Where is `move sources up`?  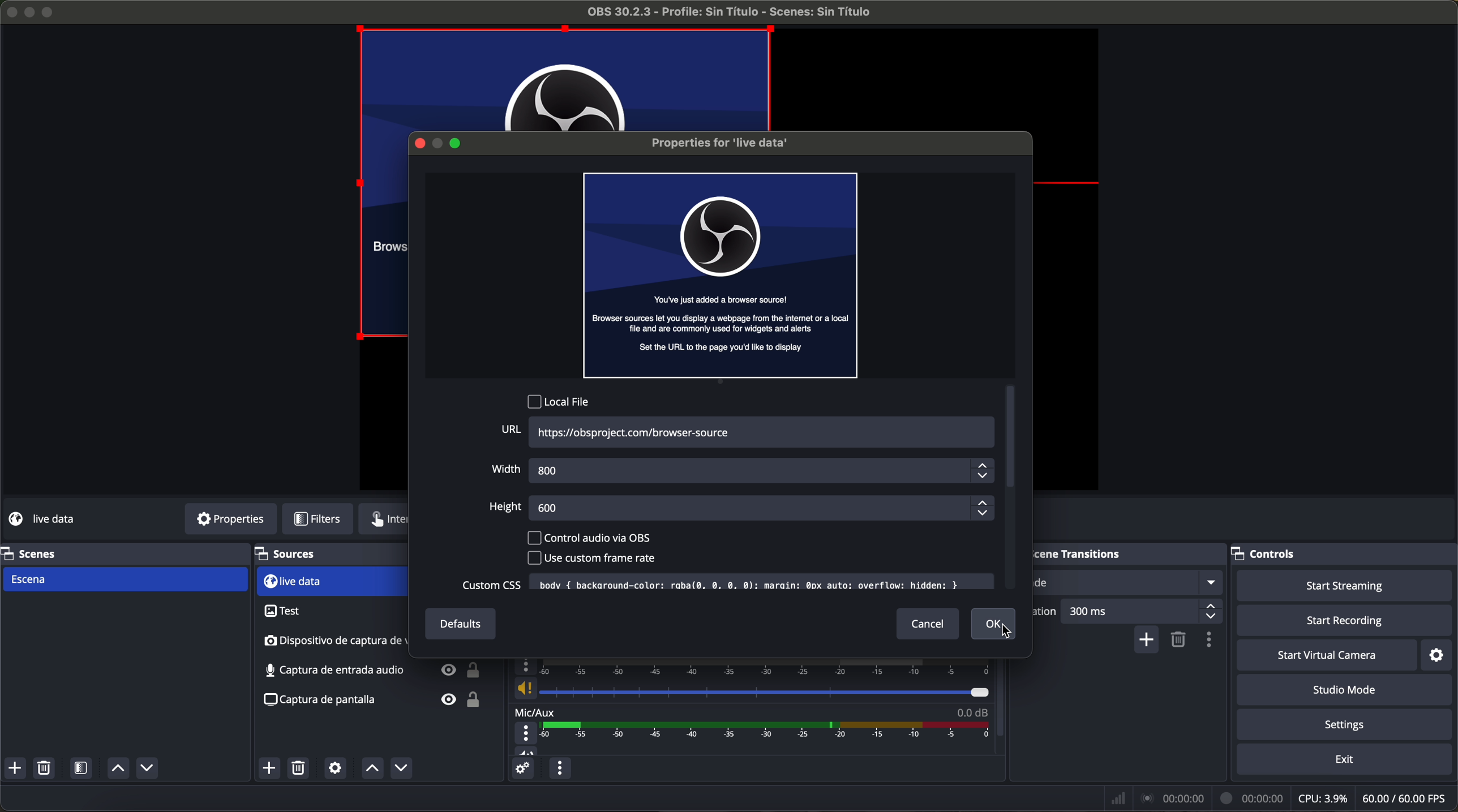 move sources up is located at coordinates (118, 768).